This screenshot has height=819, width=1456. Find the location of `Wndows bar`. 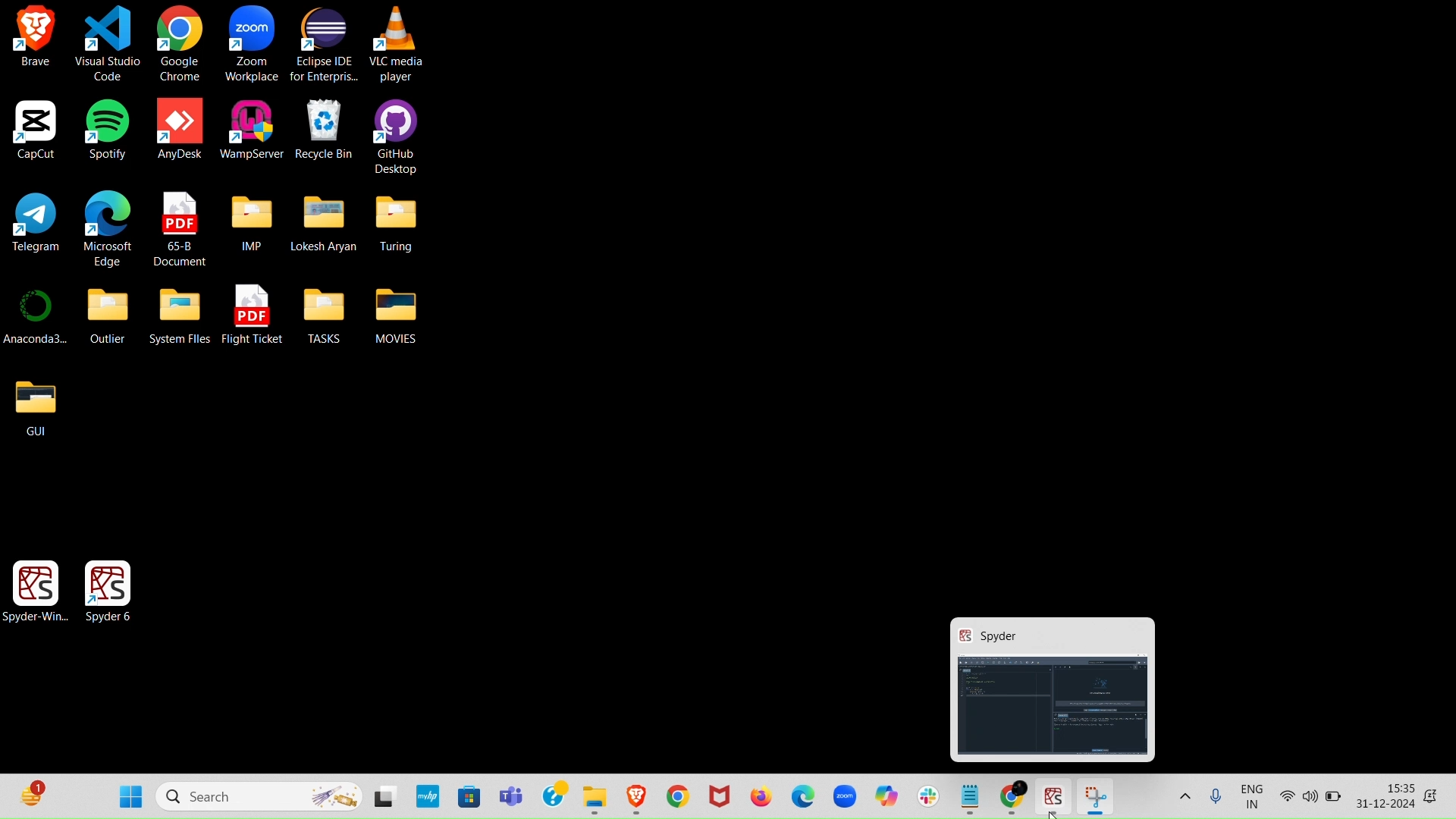

Wndows bar is located at coordinates (728, 797).